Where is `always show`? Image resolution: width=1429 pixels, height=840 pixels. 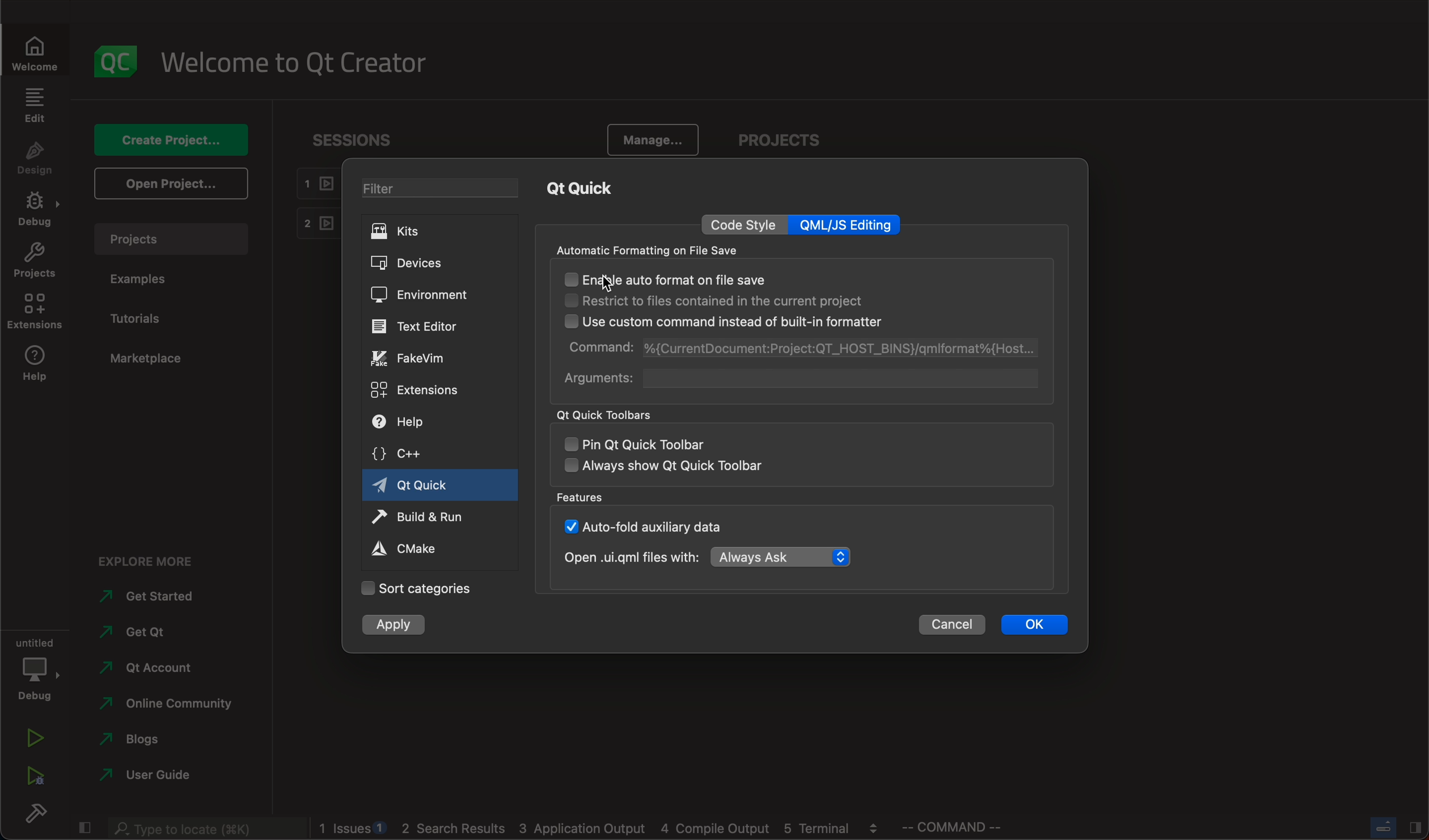
always show is located at coordinates (666, 466).